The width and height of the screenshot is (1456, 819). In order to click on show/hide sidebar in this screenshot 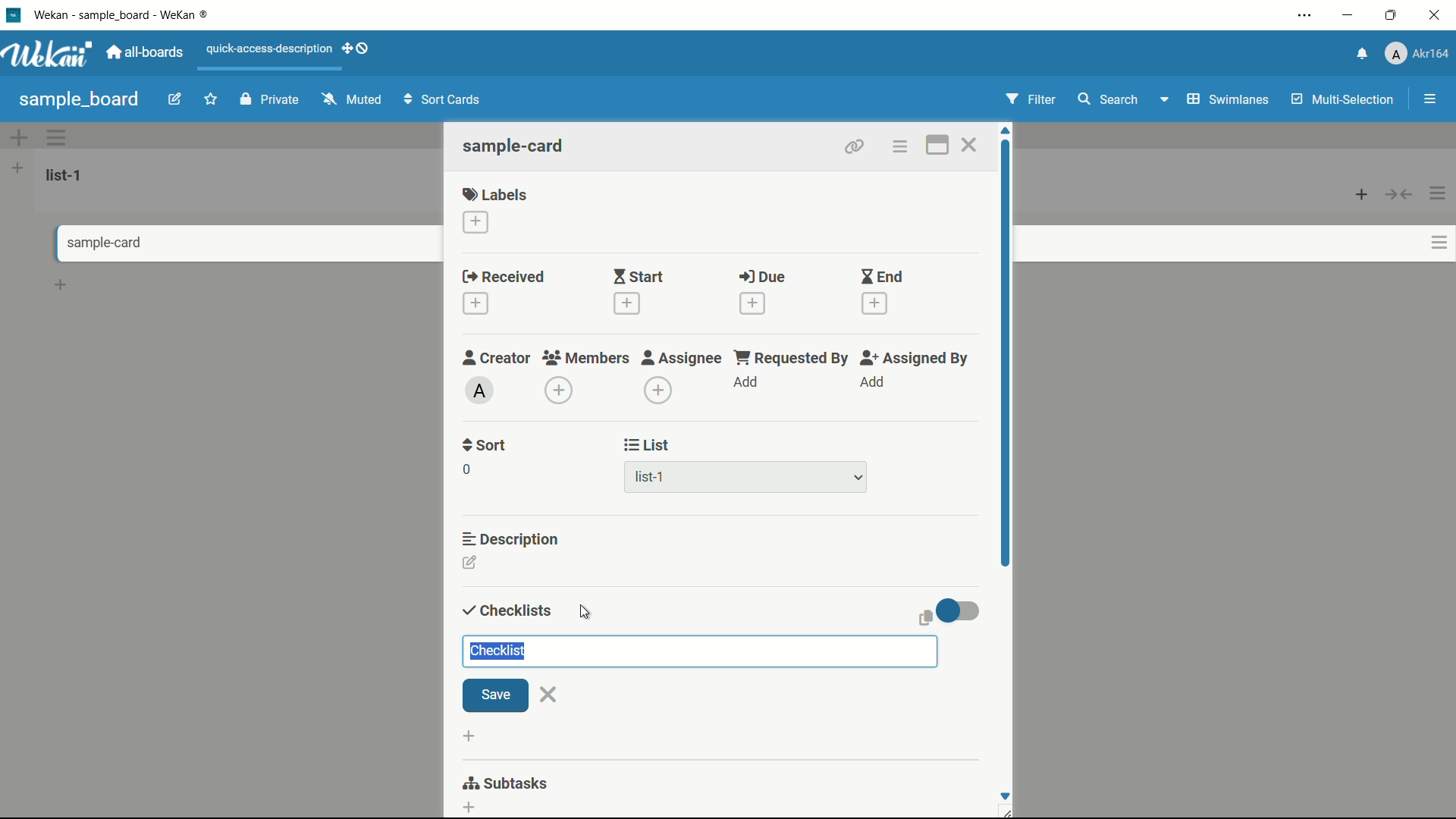, I will do `click(1432, 99)`.